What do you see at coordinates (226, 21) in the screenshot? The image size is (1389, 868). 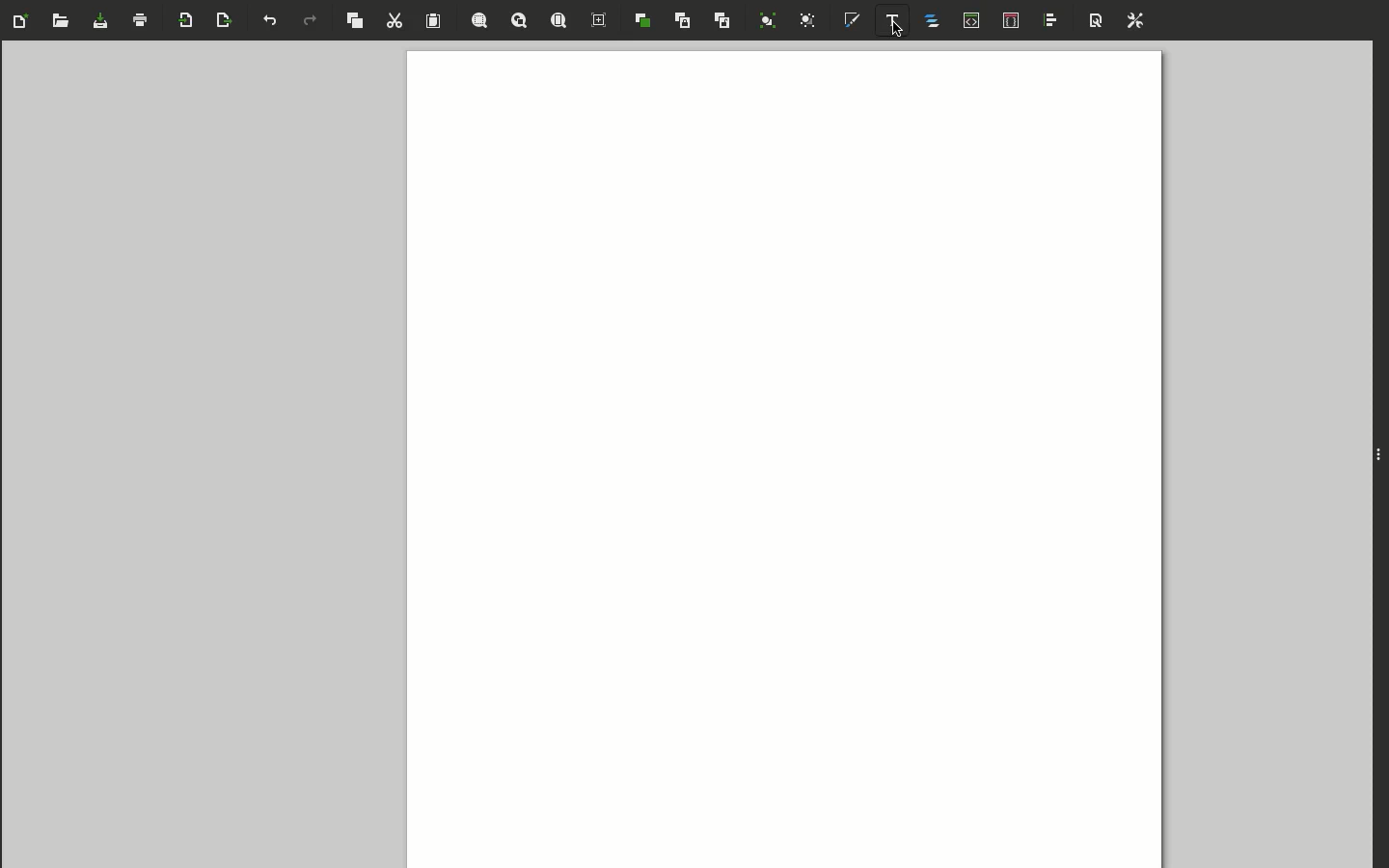 I see `Export` at bounding box center [226, 21].